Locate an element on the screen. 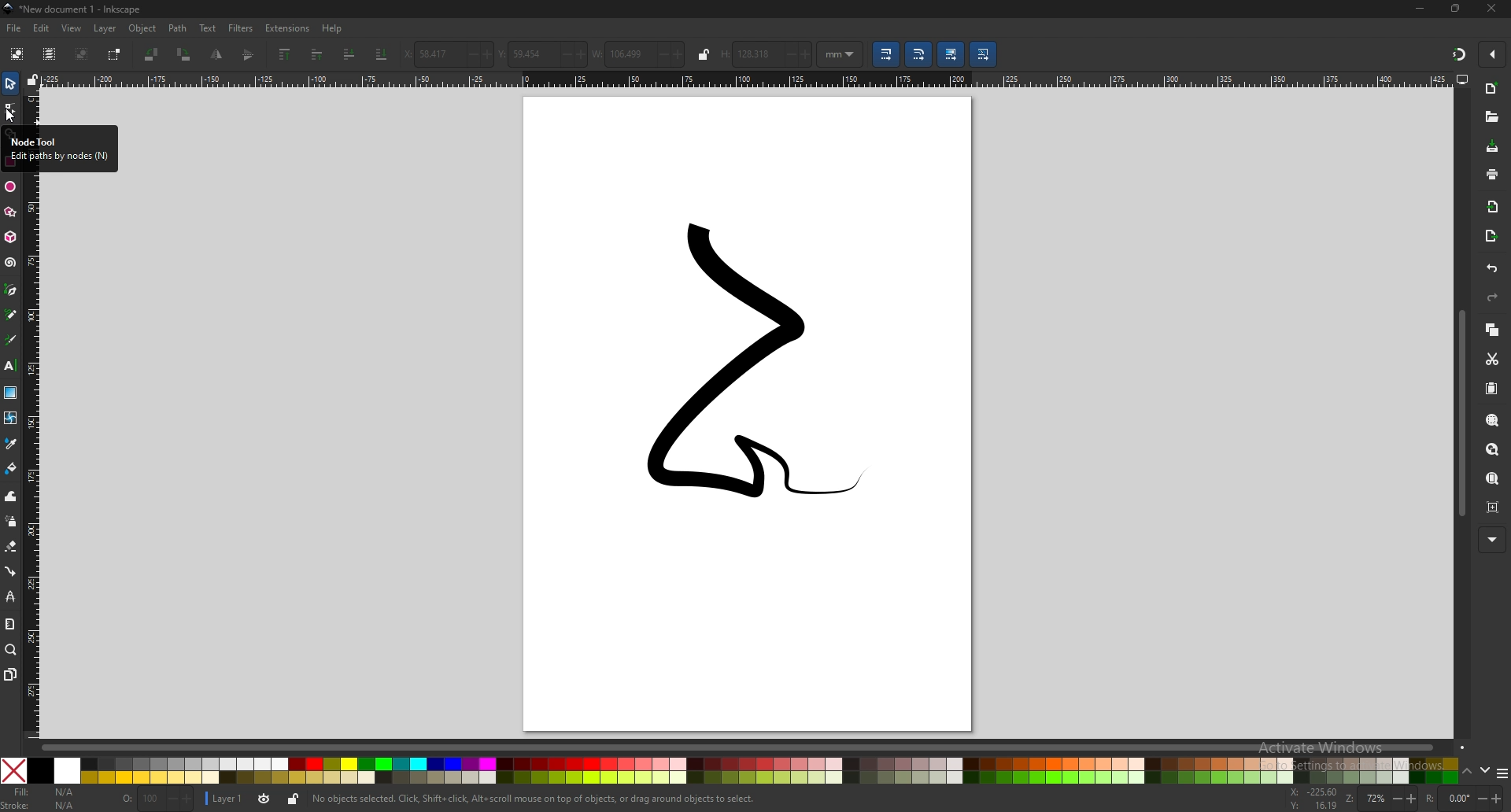 Image resolution: width=1511 pixels, height=812 pixels. lock is located at coordinates (292, 801).